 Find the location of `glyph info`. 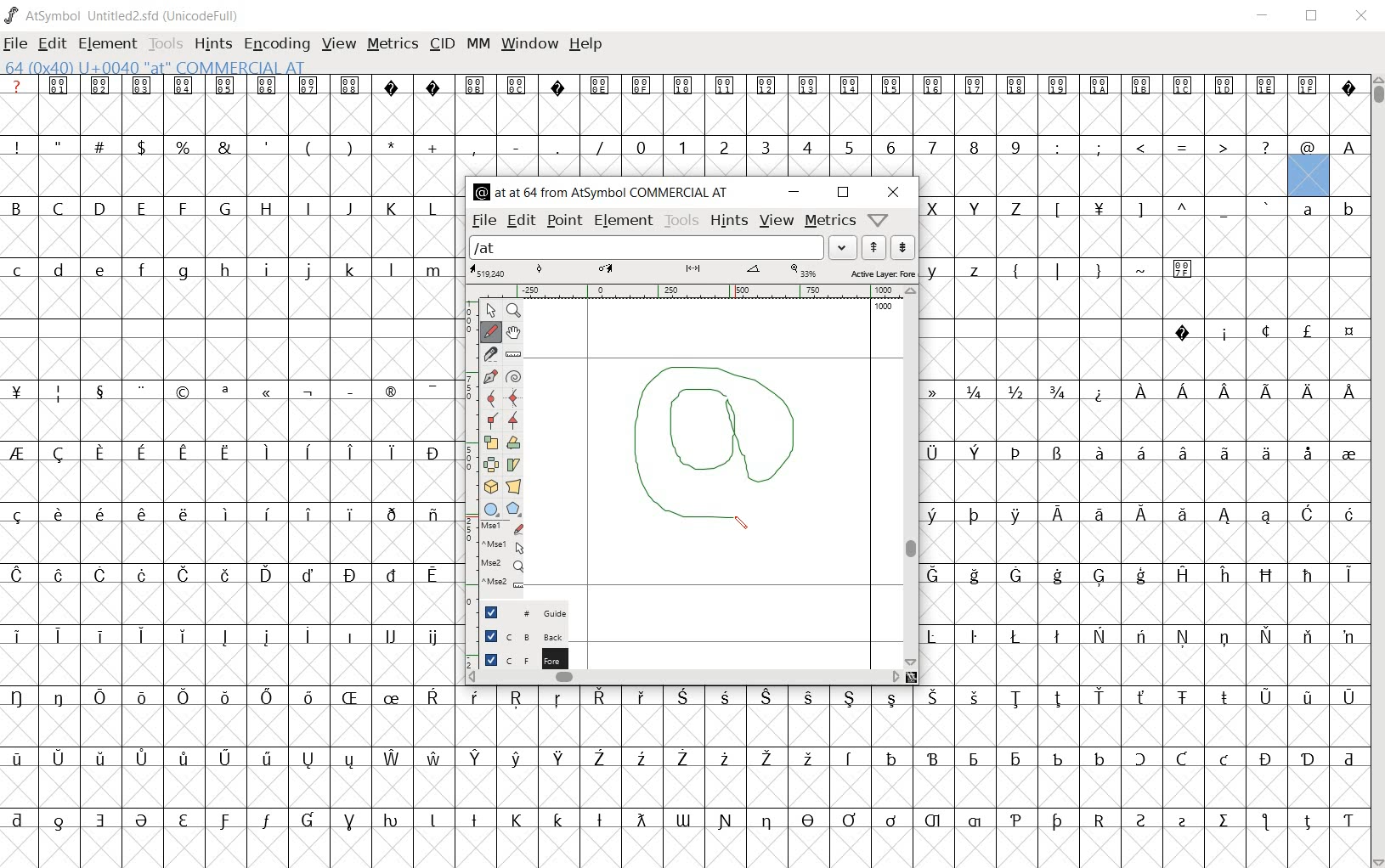

glyph info is located at coordinates (604, 190).